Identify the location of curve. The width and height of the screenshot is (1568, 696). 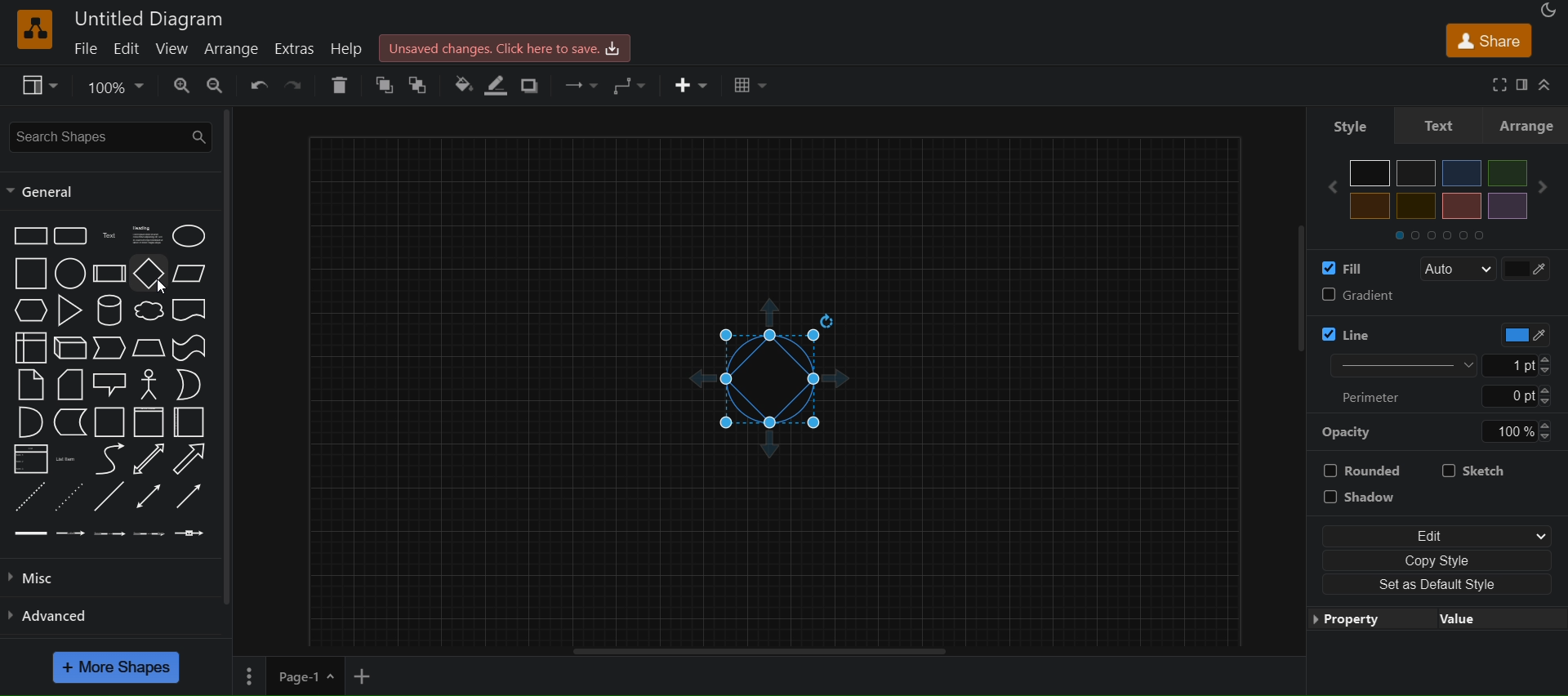
(109, 461).